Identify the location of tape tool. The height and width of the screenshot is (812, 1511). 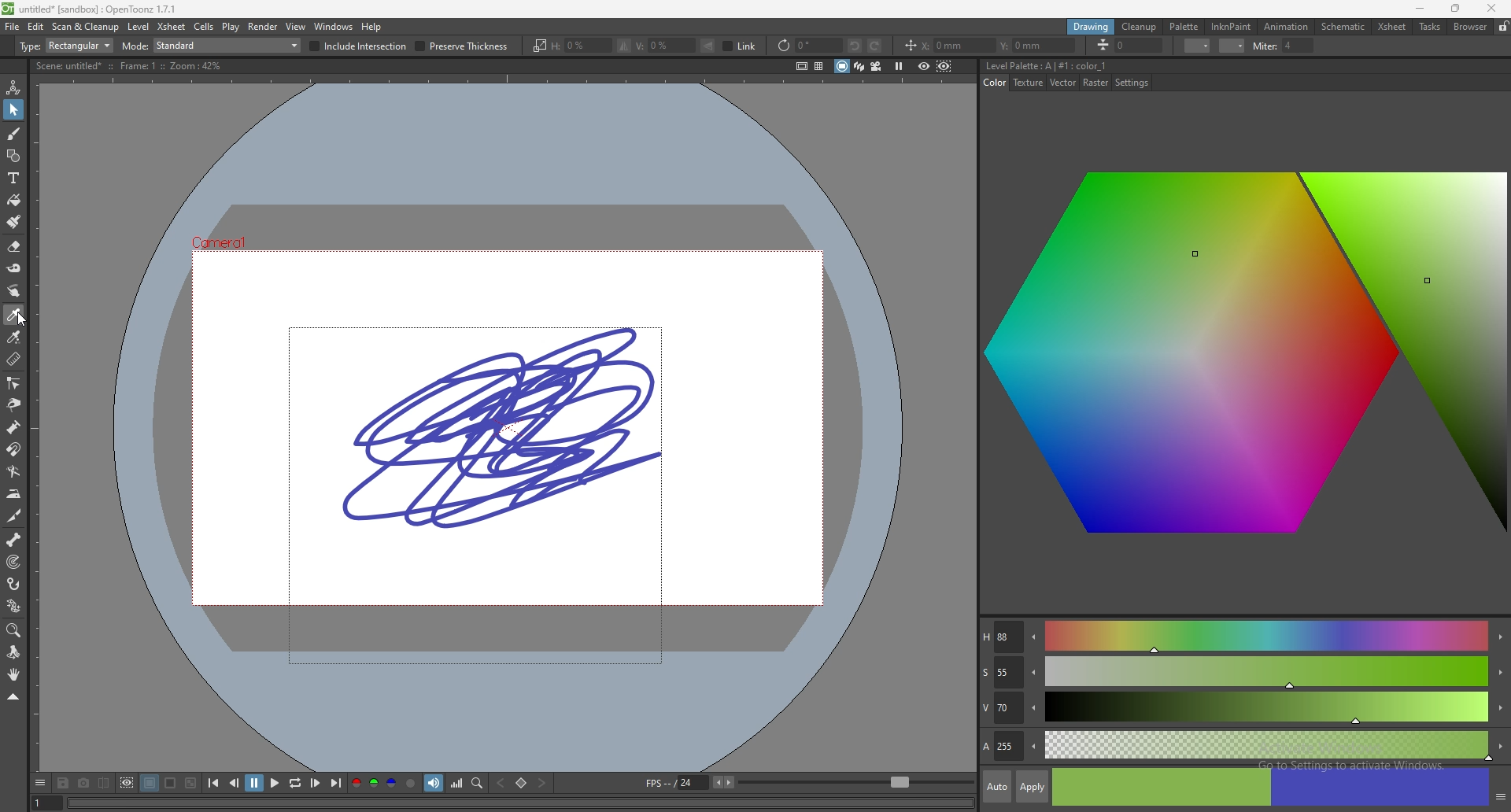
(14, 268).